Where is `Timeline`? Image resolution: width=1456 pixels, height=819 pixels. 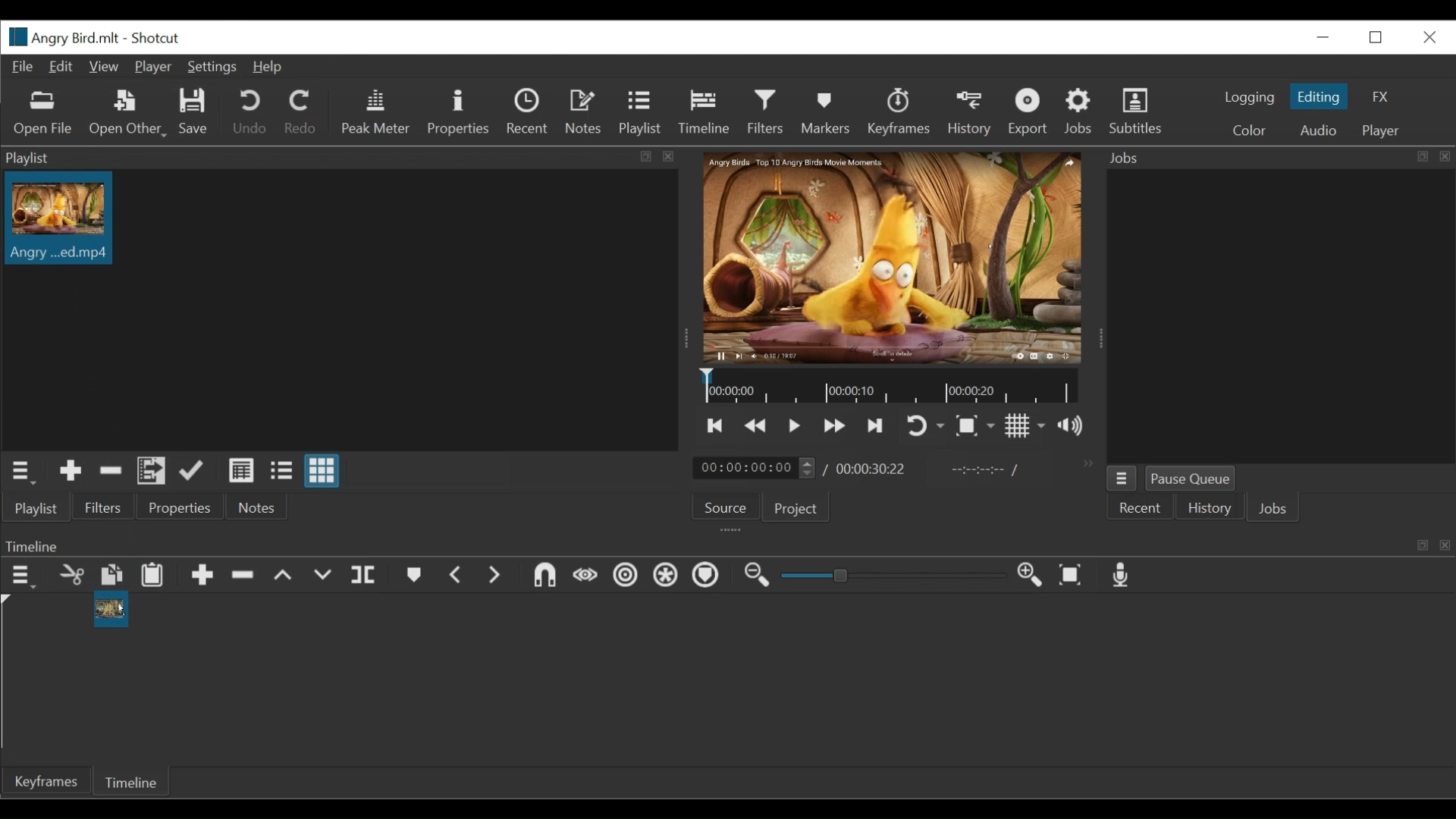
Timeline is located at coordinates (728, 544).